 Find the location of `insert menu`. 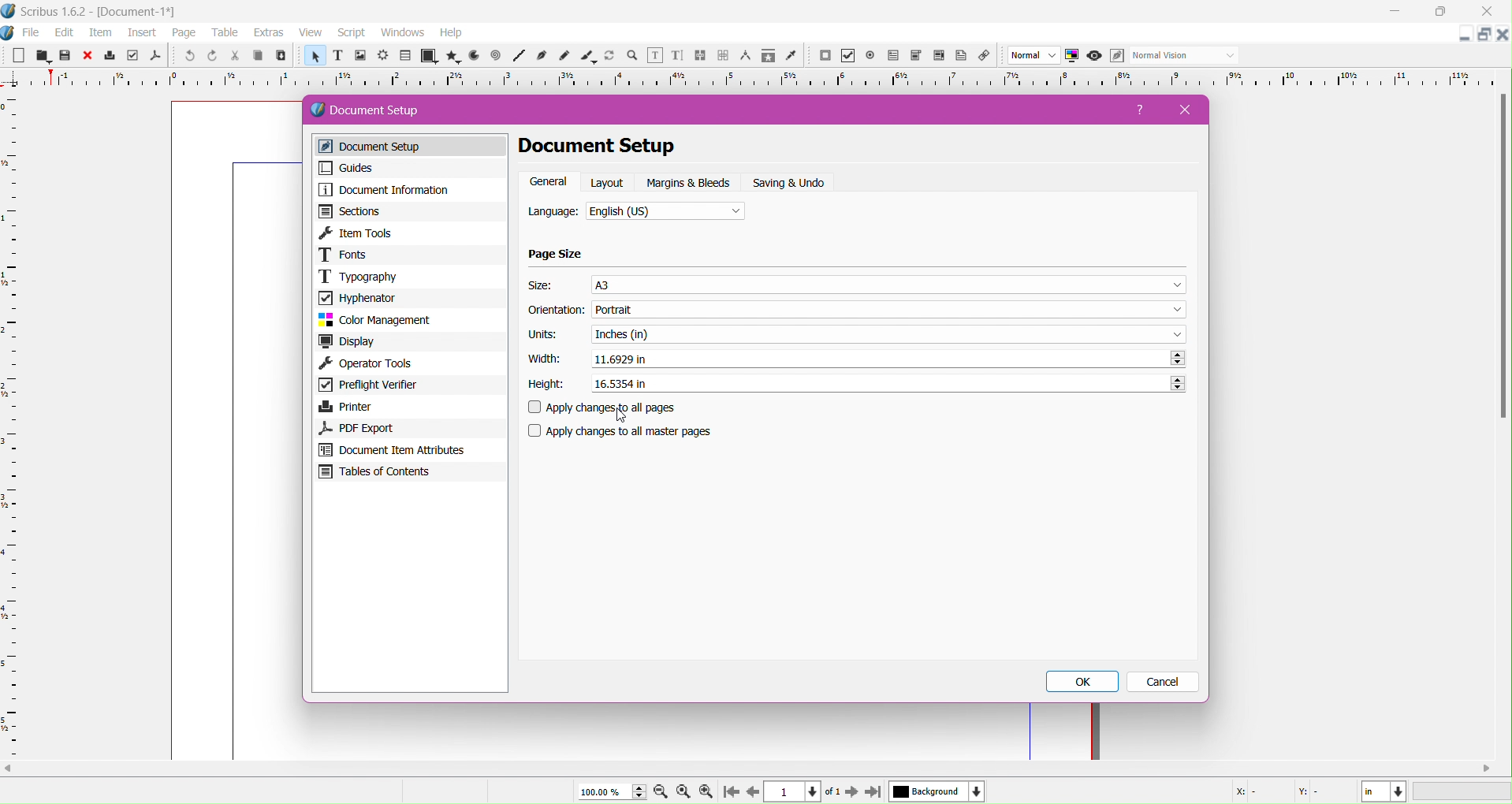

insert menu is located at coordinates (142, 34).